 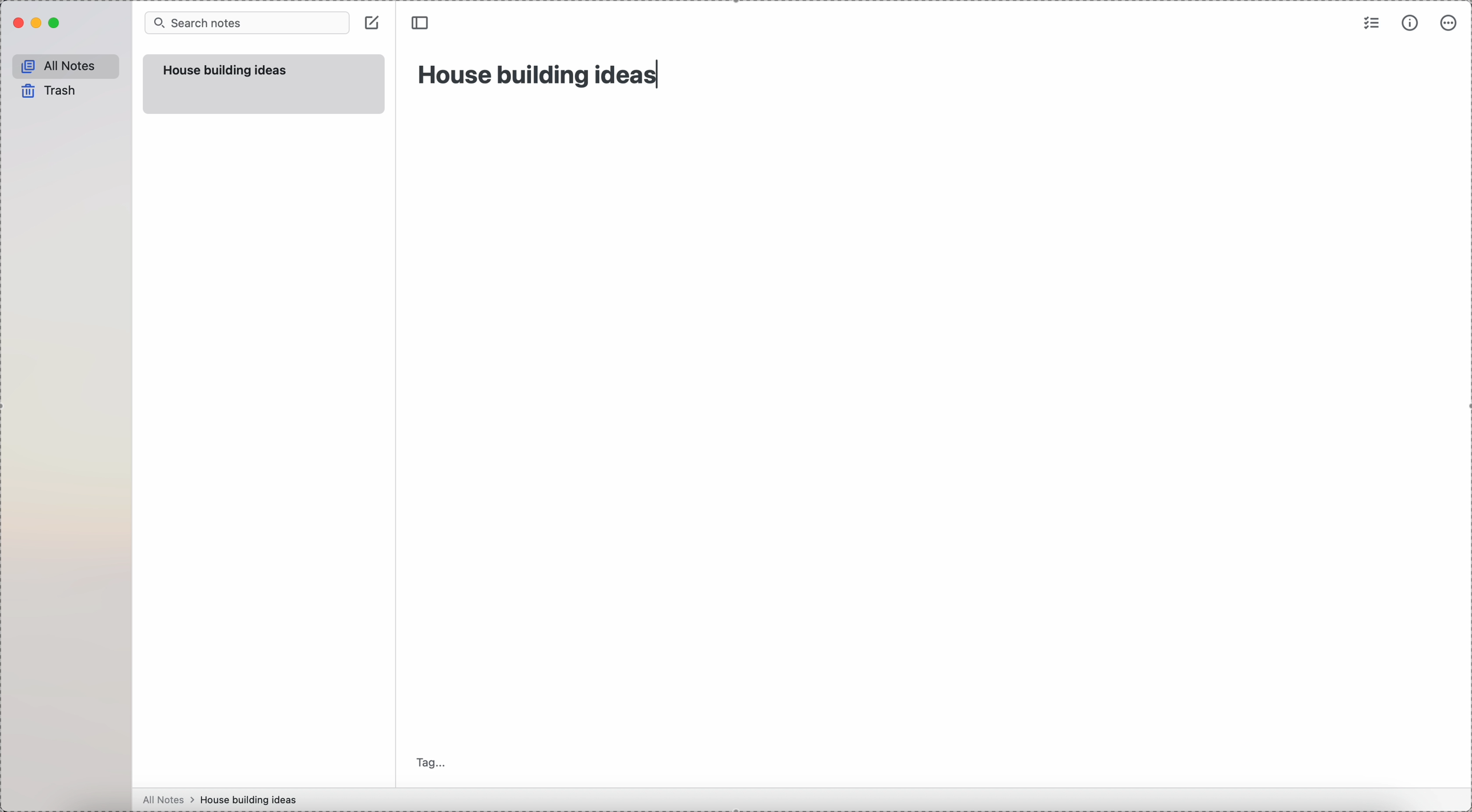 I want to click on toggle sidebar, so click(x=422, y=23).